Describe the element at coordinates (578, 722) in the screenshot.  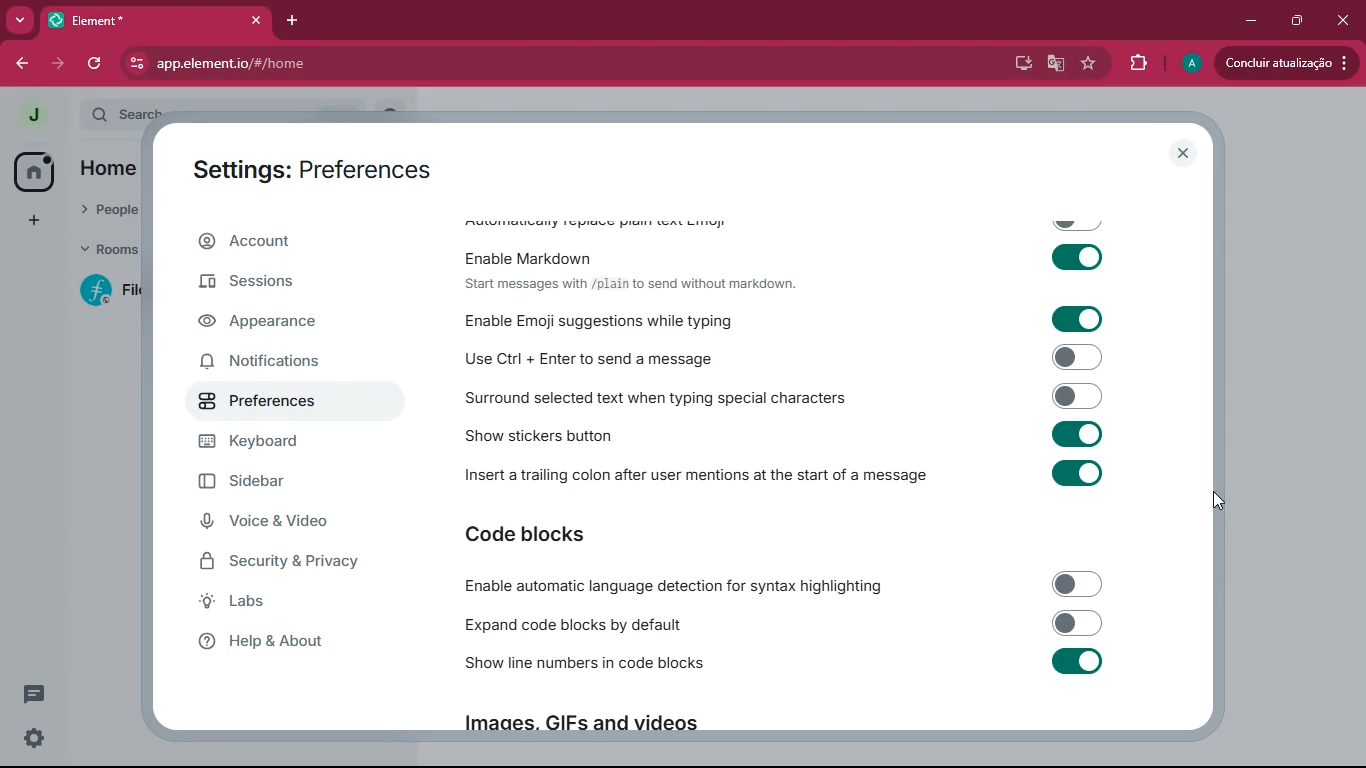
I see `Imaaes. GIFs and videos` at that location.